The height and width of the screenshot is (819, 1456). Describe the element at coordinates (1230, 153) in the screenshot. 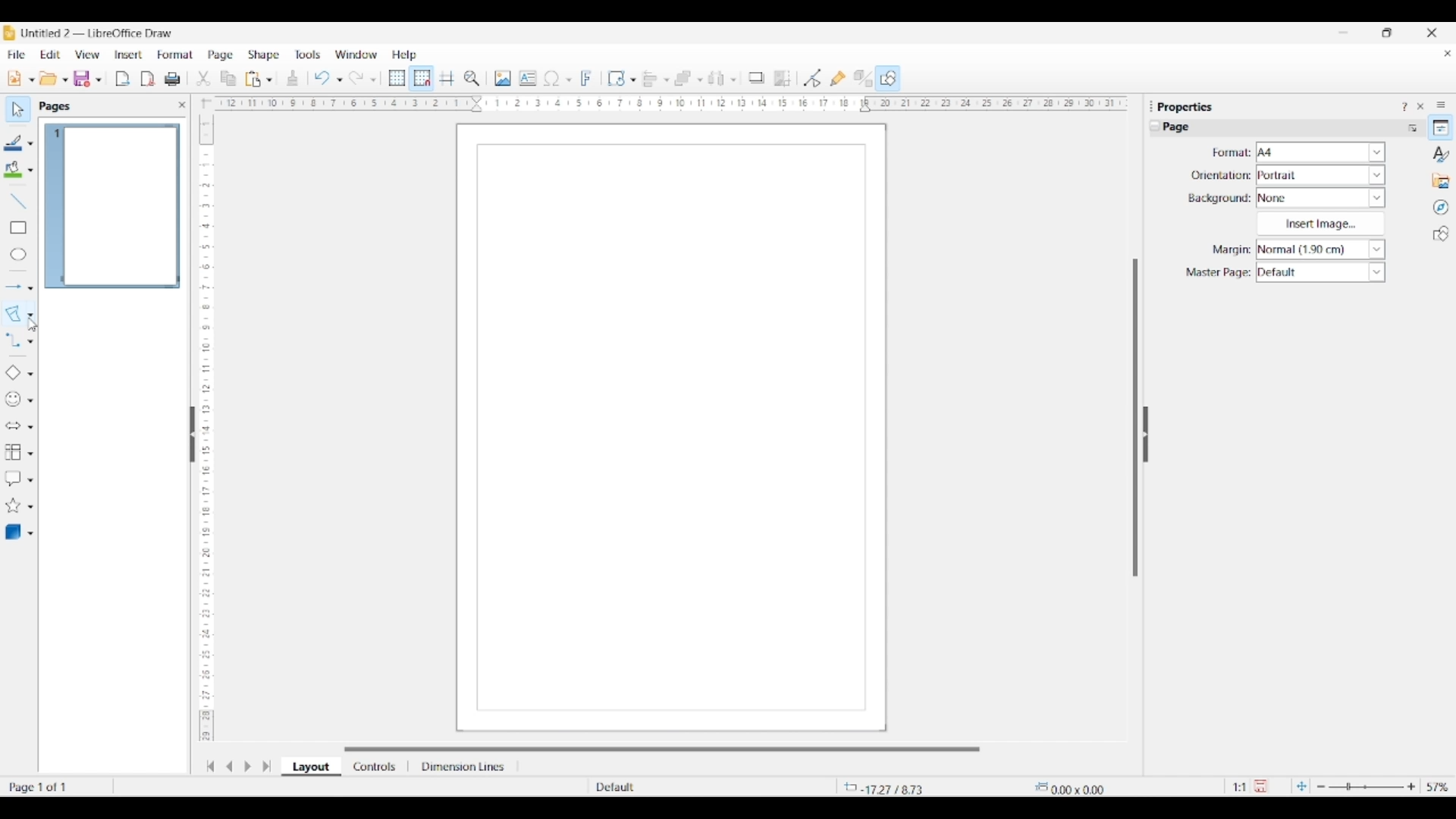

I see `Indicates format settings` at that location.